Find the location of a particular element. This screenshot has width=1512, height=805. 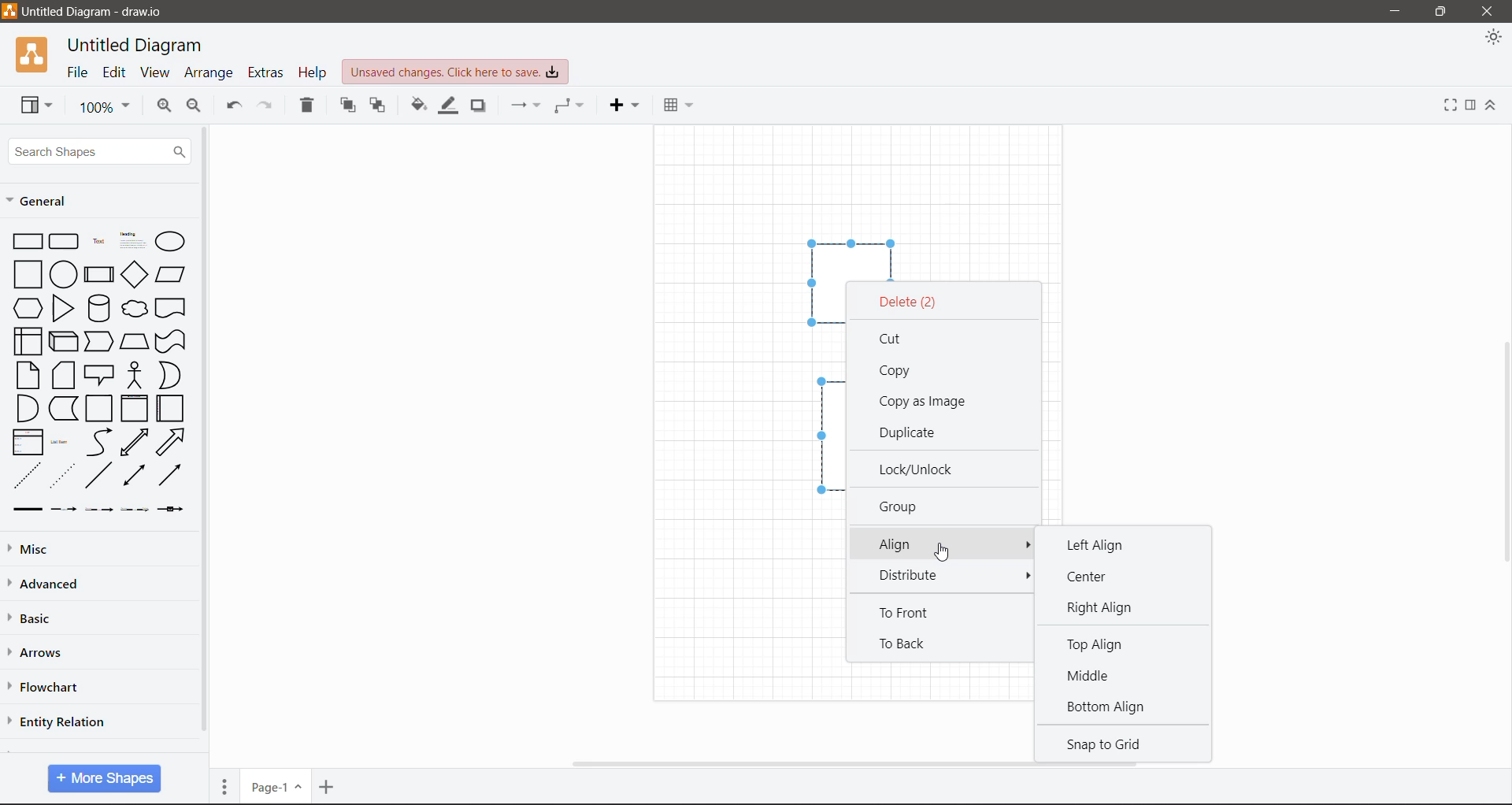

 is located at coordinates (138, 45).